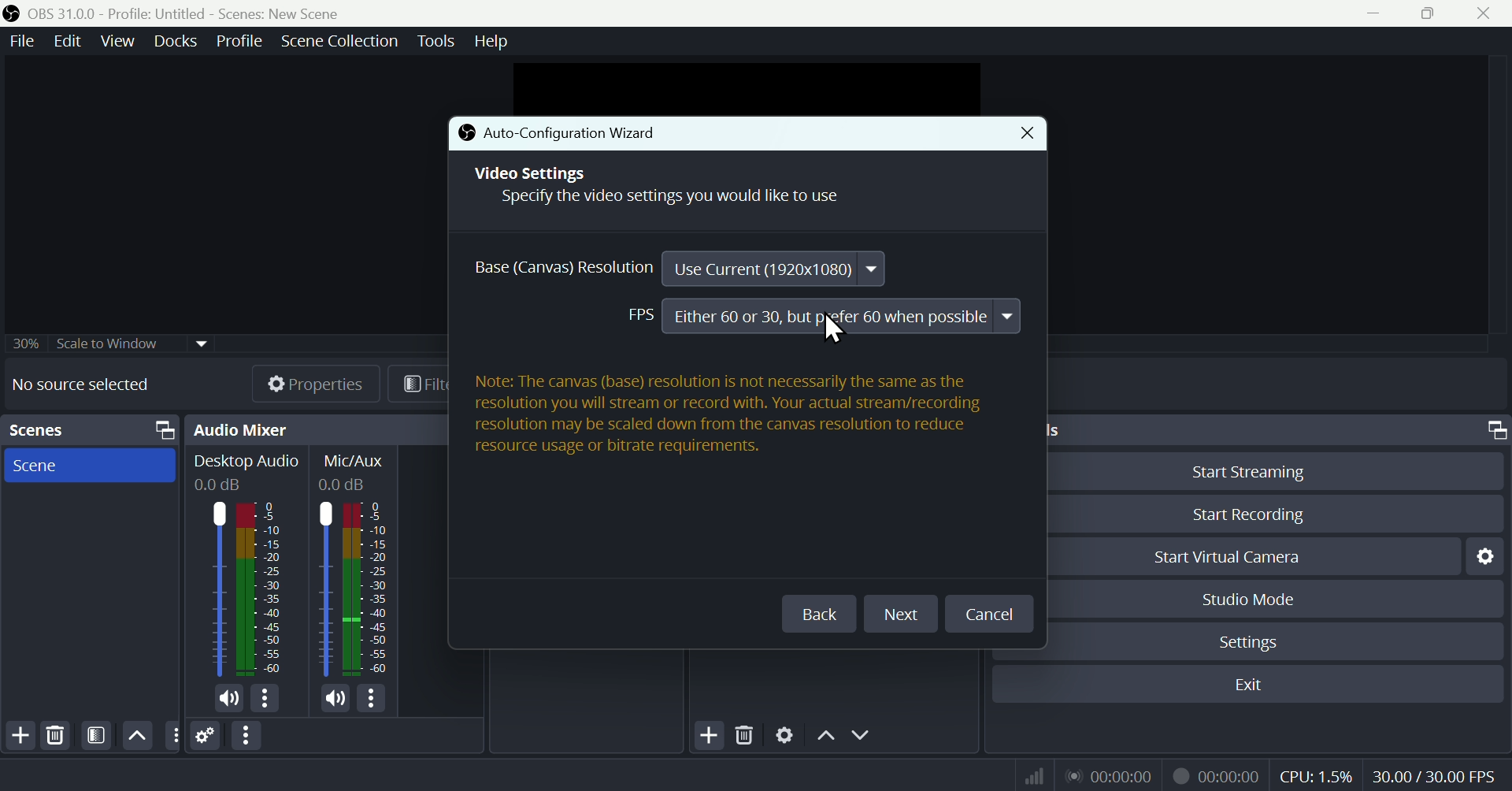 The width and height of the screenshot is (1512, 791). I want to click on OBS 31.0 .0 Profile: Untitled - Scenes:New scene, so click(187, 13).